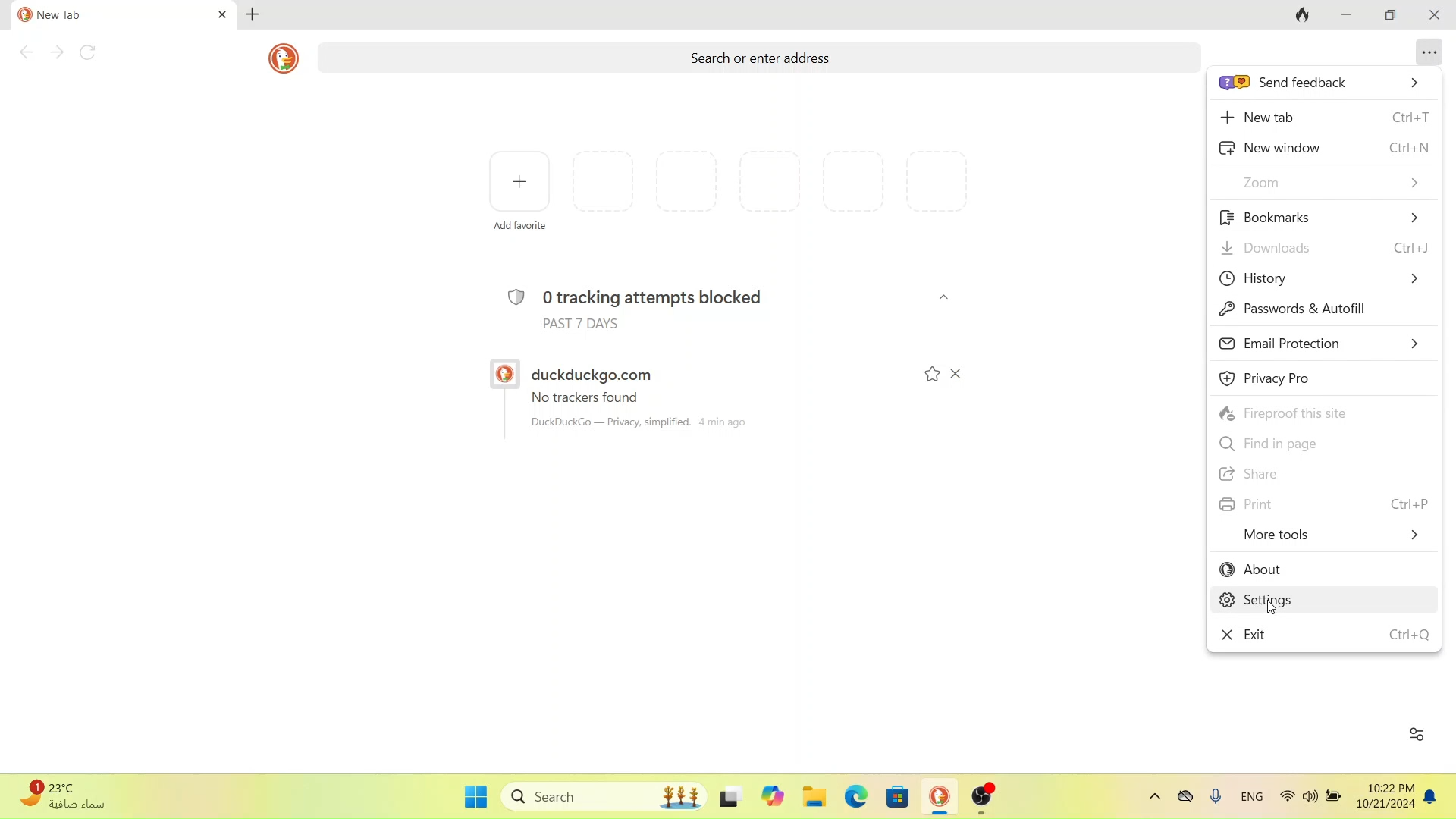  What do you see at coordinates (1311, 471) in the screenshot?
I see `share` at bounding box center [1311, 471].